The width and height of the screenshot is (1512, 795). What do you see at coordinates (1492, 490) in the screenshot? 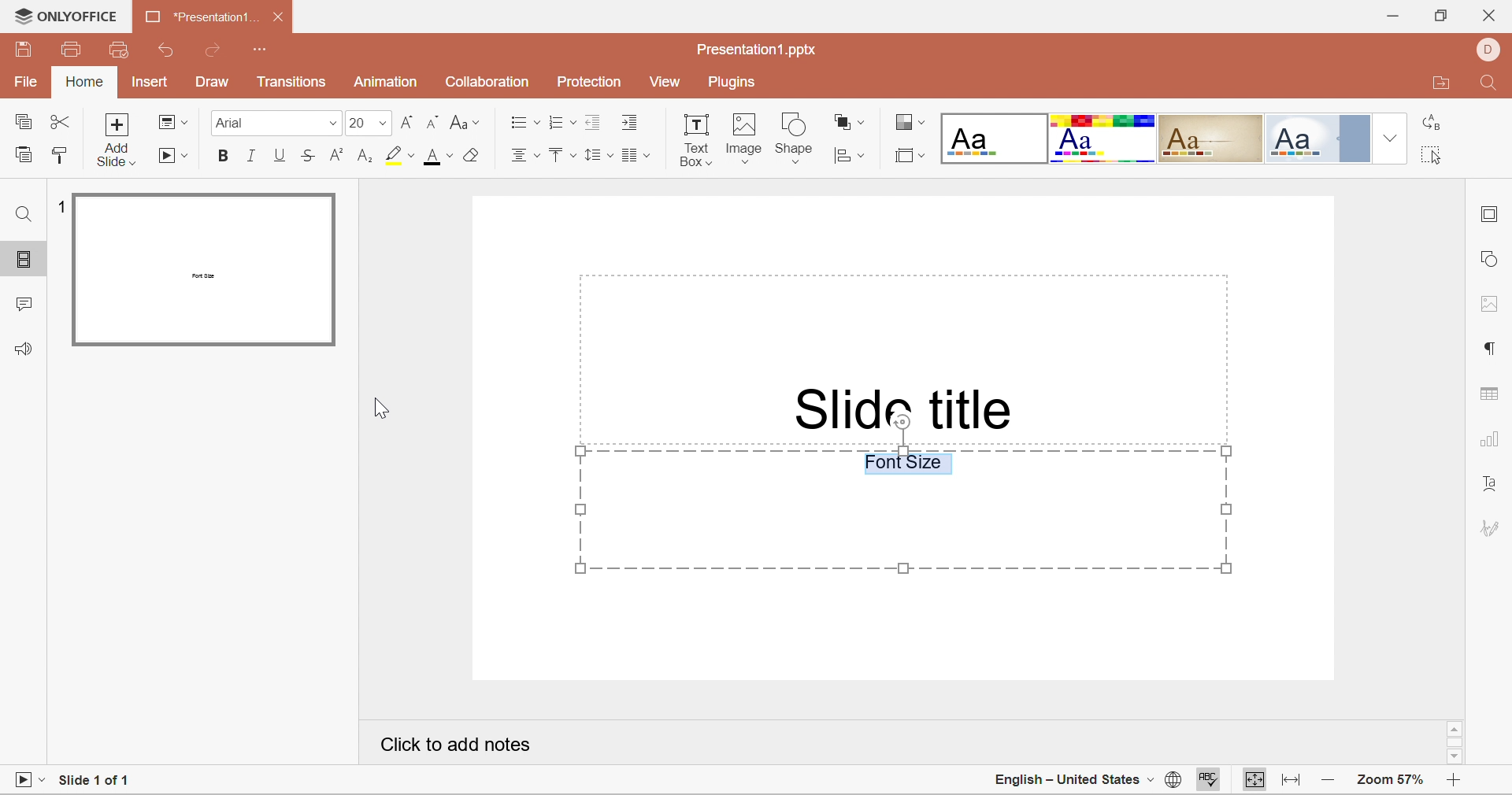
I see `Text Art settings` at bounding box center [1492, 490].